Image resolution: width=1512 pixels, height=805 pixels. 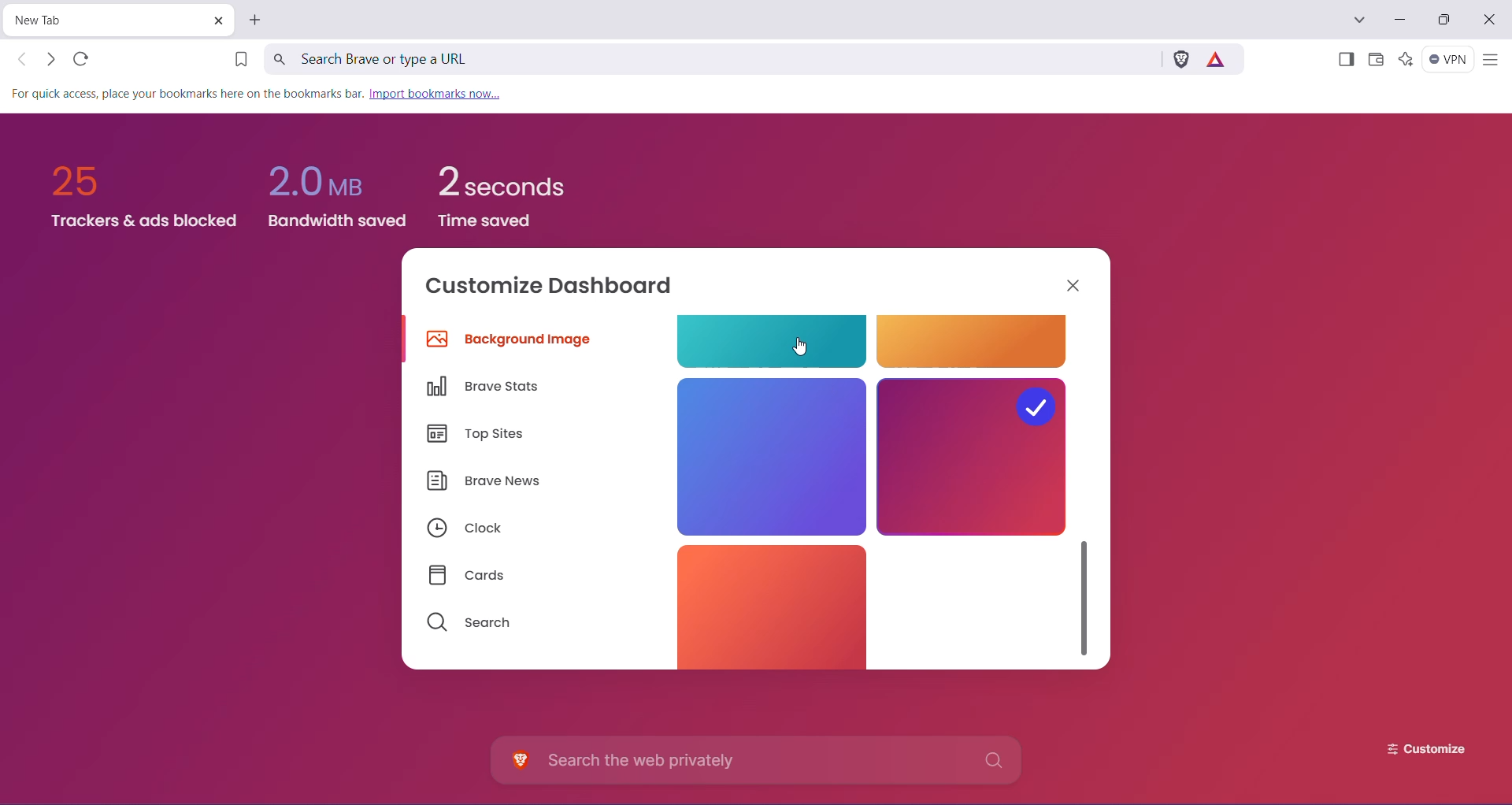 What do you see at coordinates (257, 20) in the screenshot?
I see `New Tab` at bounding box center [257, 20].